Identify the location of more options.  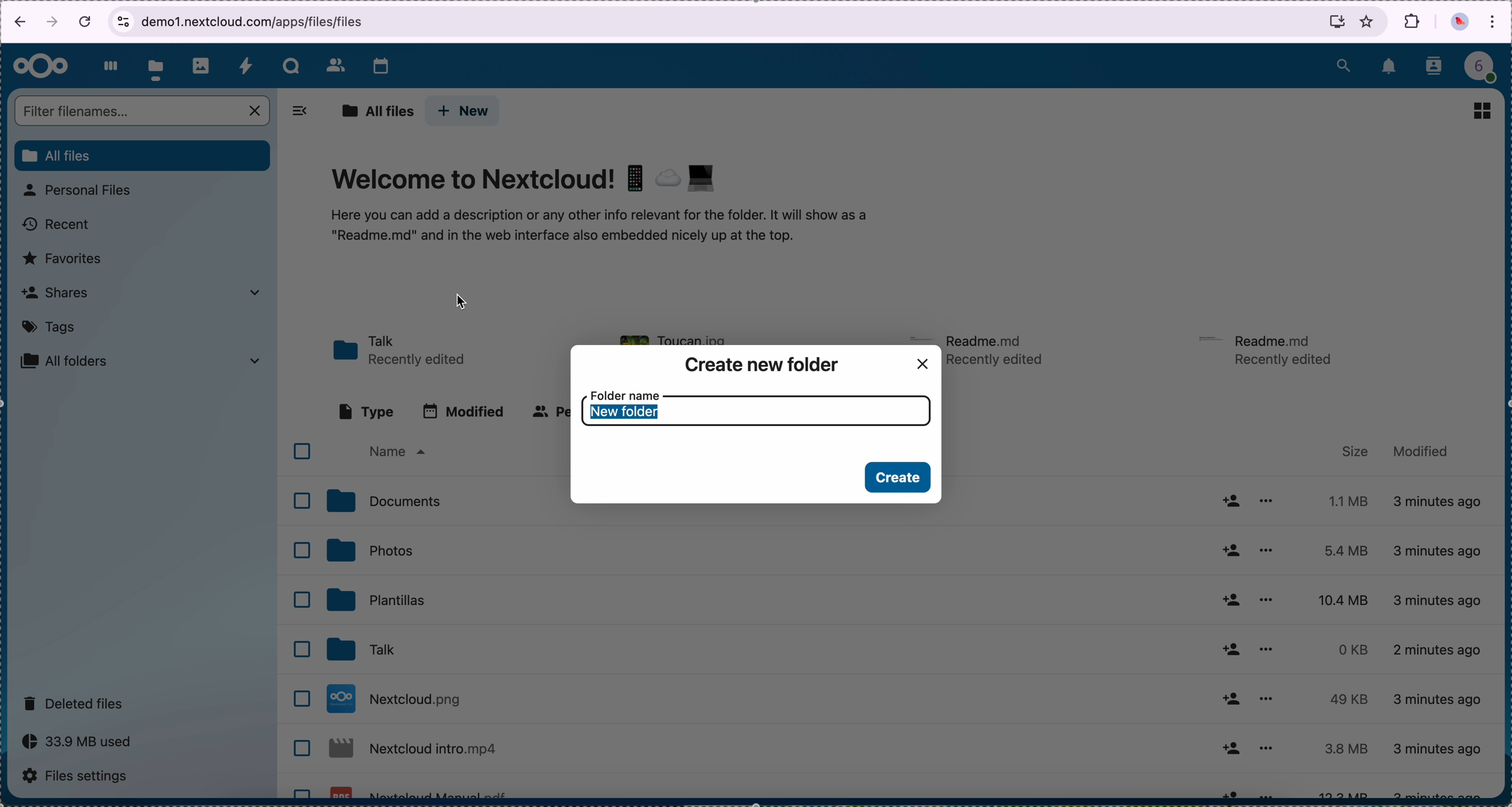
(1268, 695).